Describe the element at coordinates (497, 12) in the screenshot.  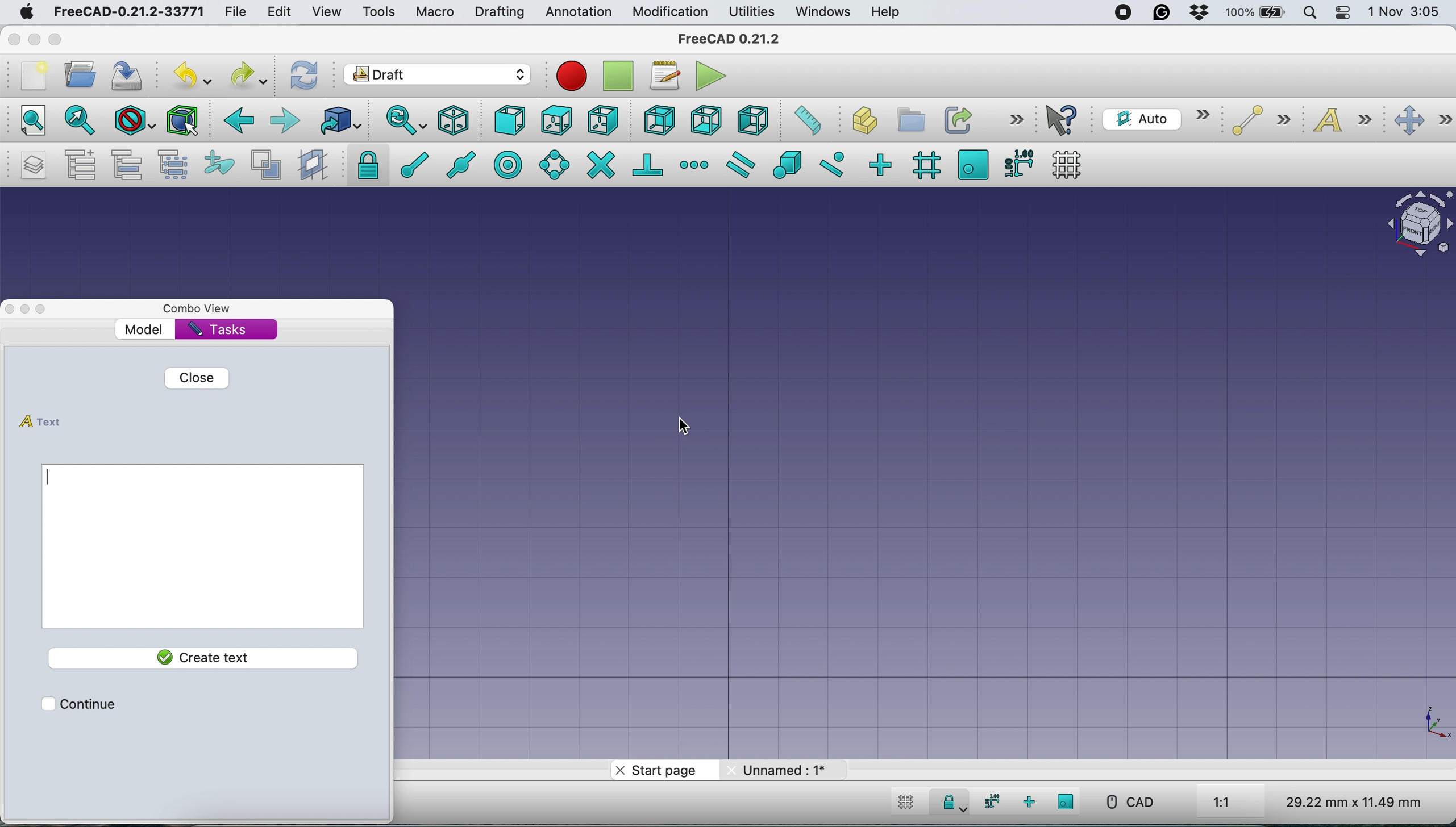
I see `drafting` at that location.